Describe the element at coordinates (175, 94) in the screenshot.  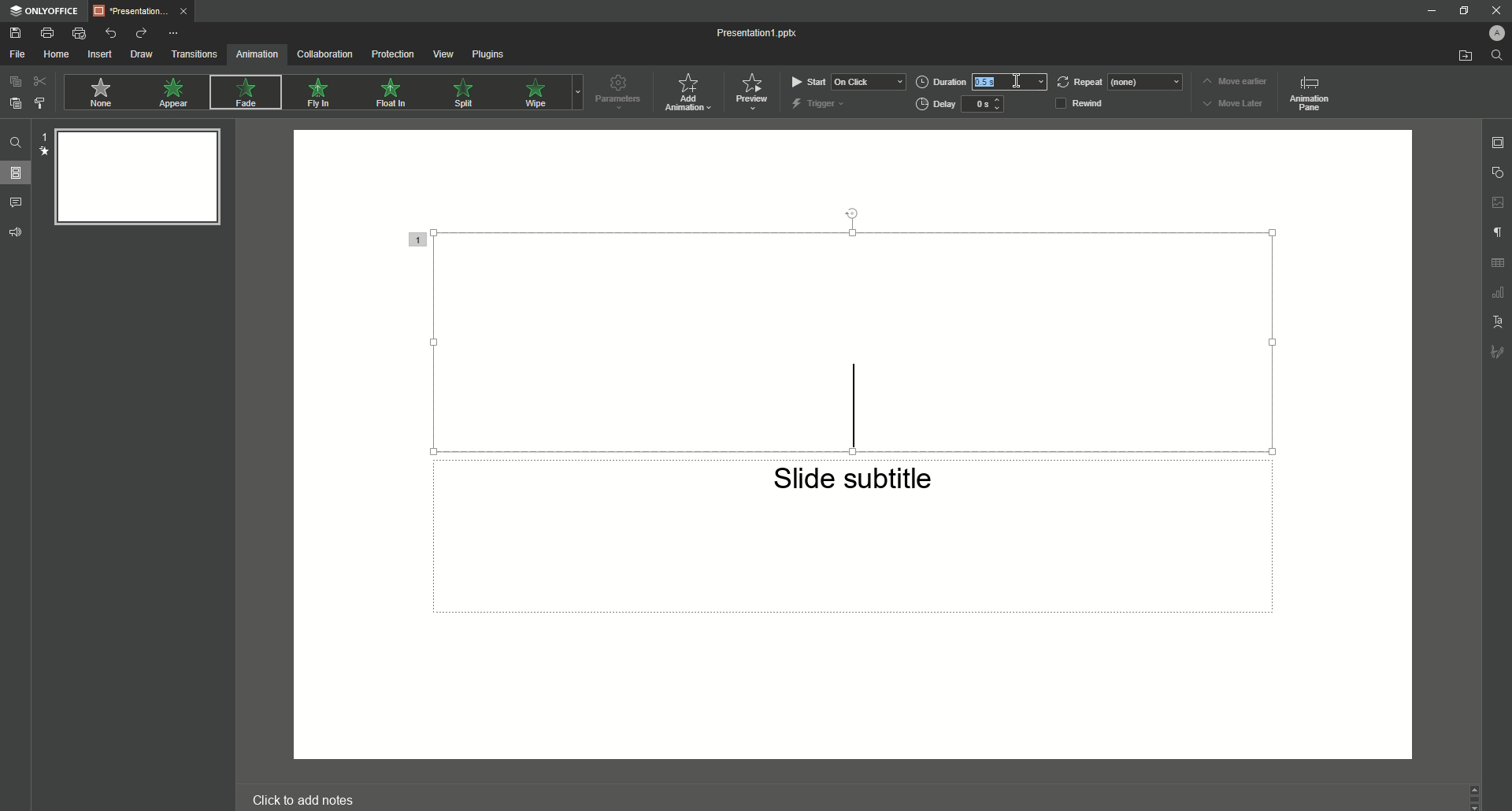
I see `Appear` at that location.